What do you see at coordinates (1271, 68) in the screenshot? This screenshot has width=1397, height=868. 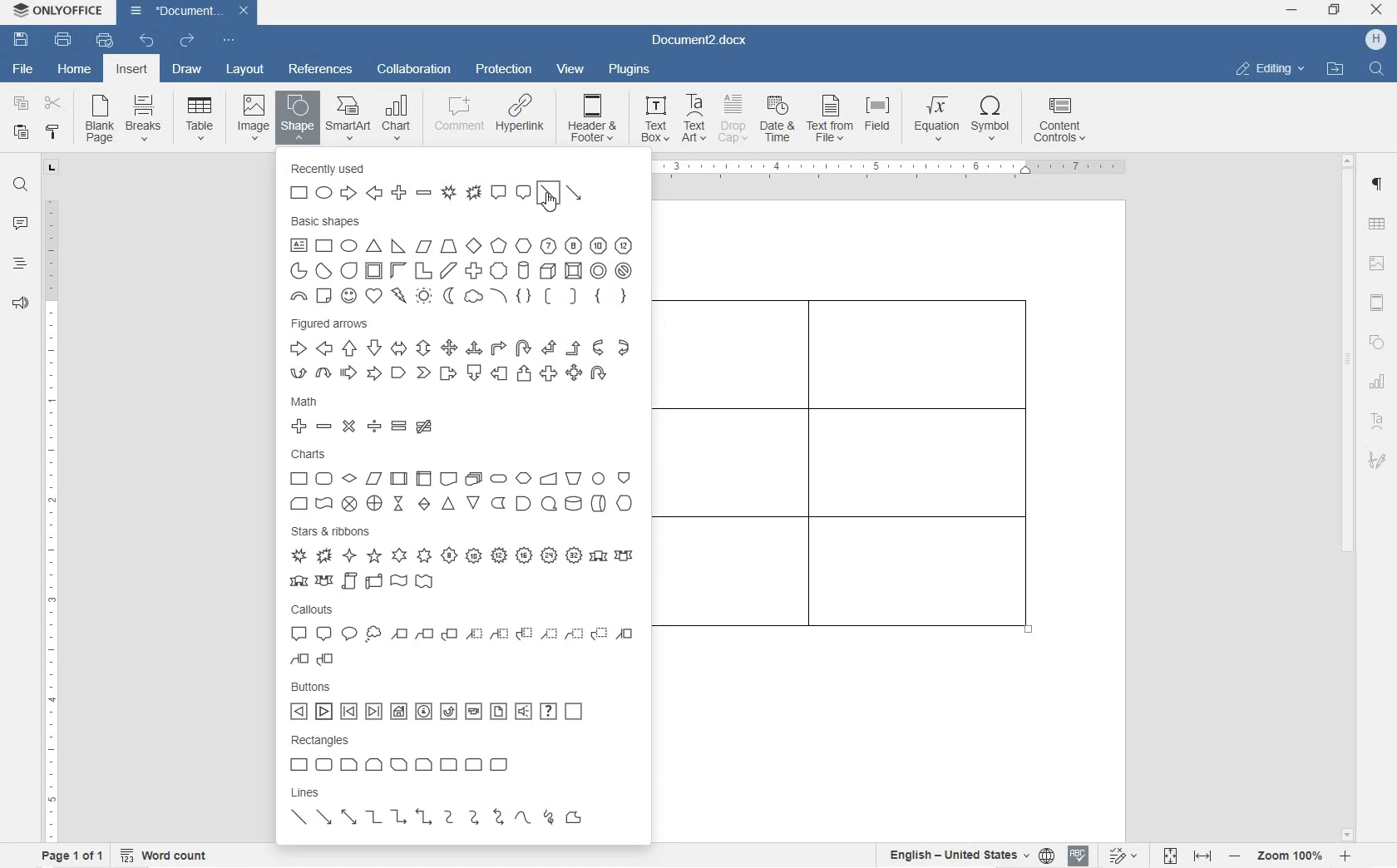 I see `EDITING` at bounding box center [1271, 68].